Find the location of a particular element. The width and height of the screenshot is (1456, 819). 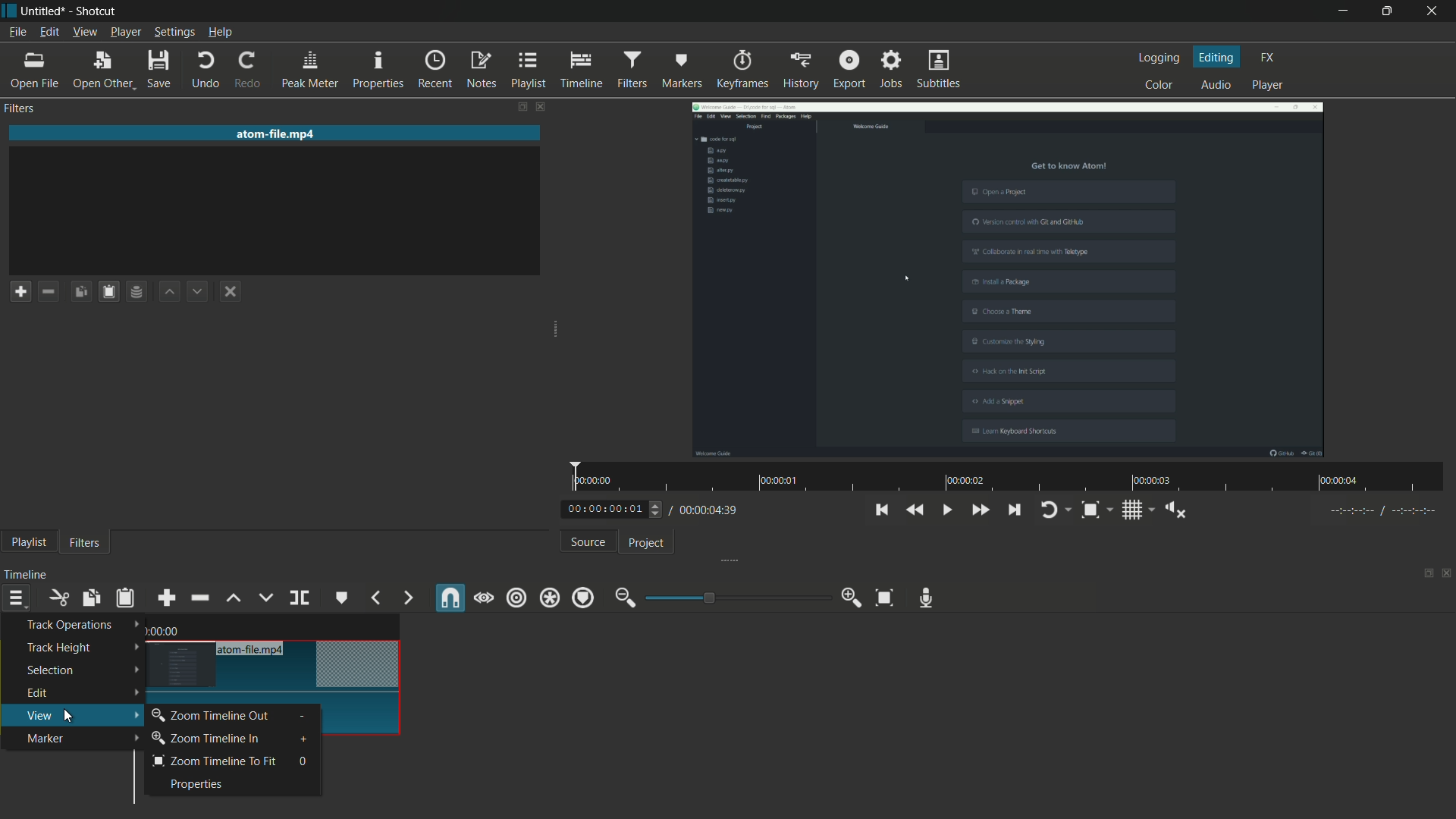

ripple all tracks is located at coordinates (548, 598).